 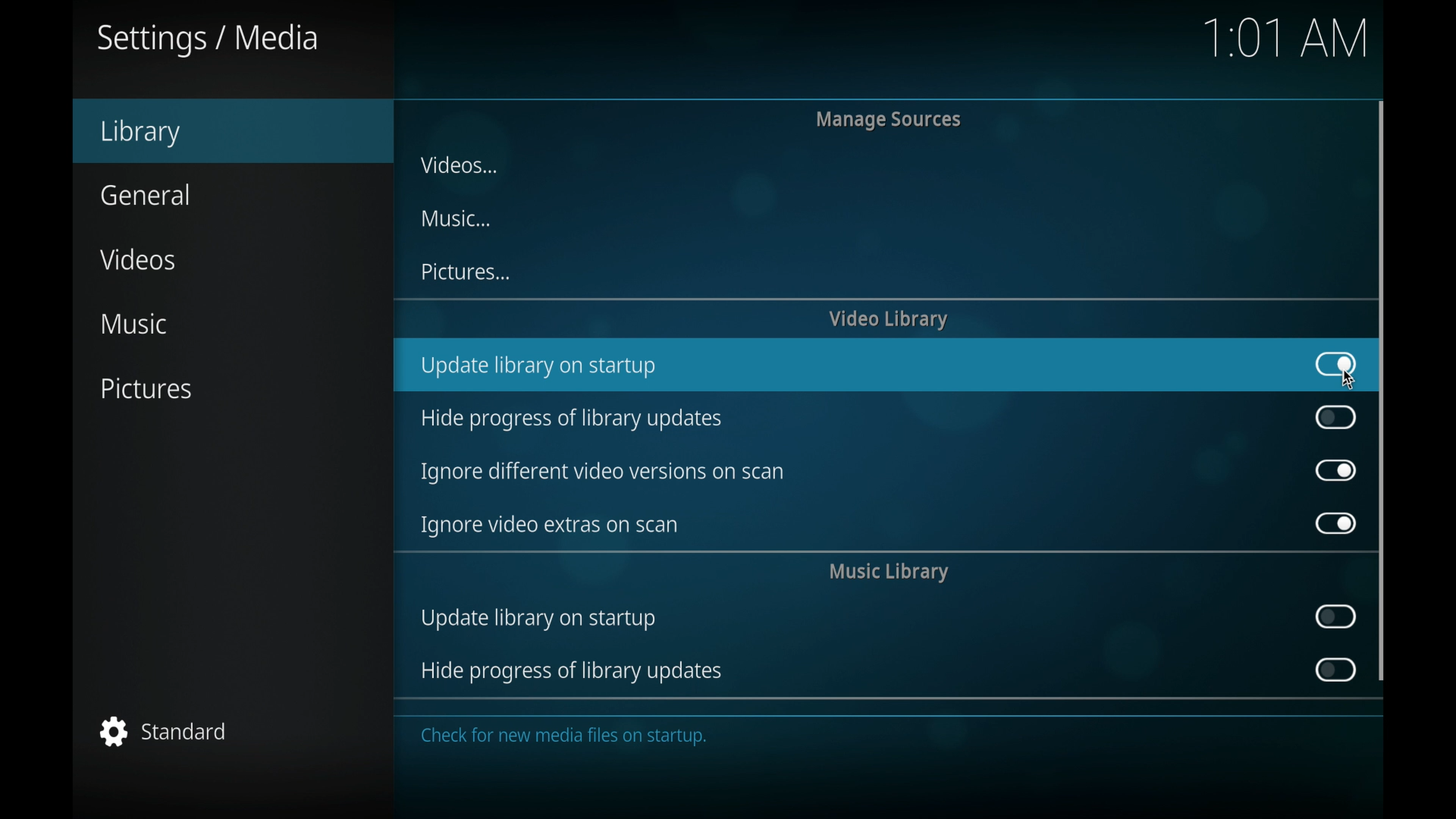 I want to click on videos, so click(x=457, y=164).